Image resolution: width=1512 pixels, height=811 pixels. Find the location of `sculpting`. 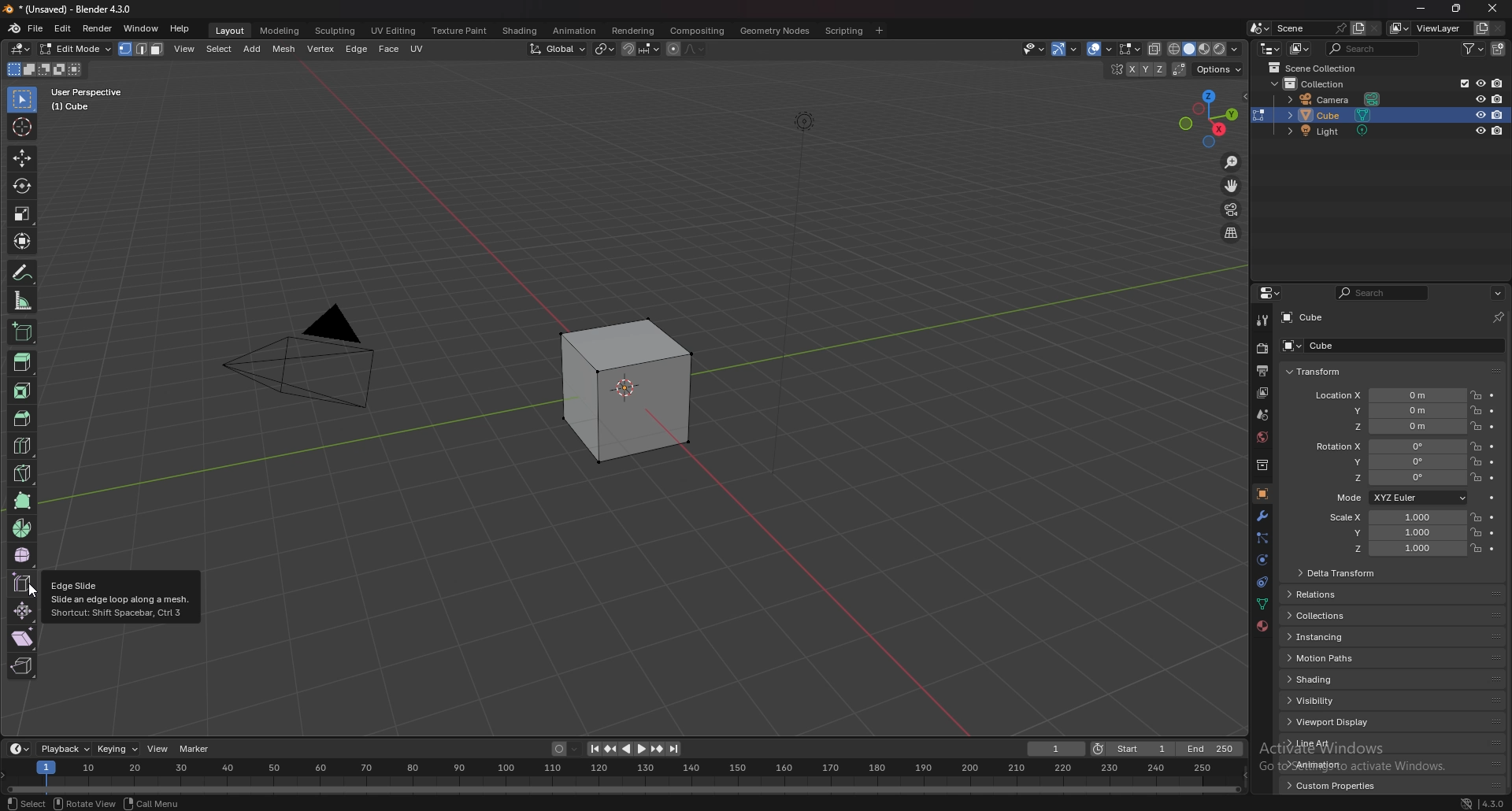

sculpting is located at coordinates (335, 31).